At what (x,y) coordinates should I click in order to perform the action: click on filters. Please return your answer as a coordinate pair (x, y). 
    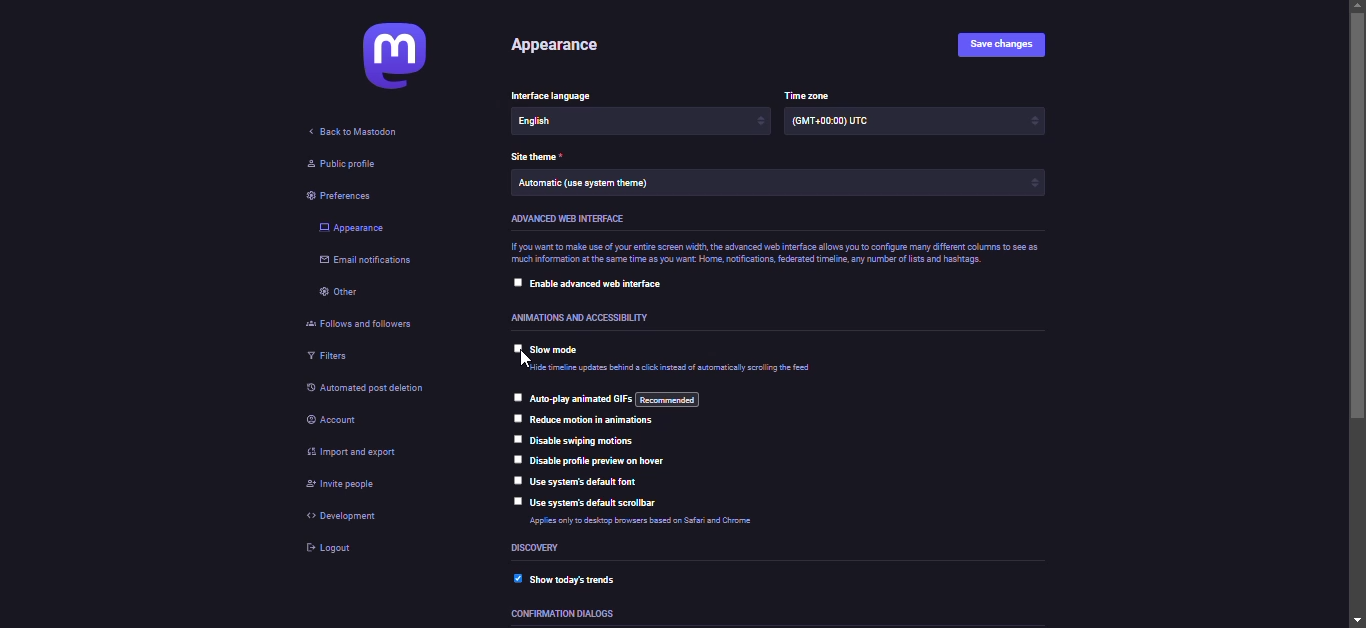
    Looking at the image, I should click on (325, 358).